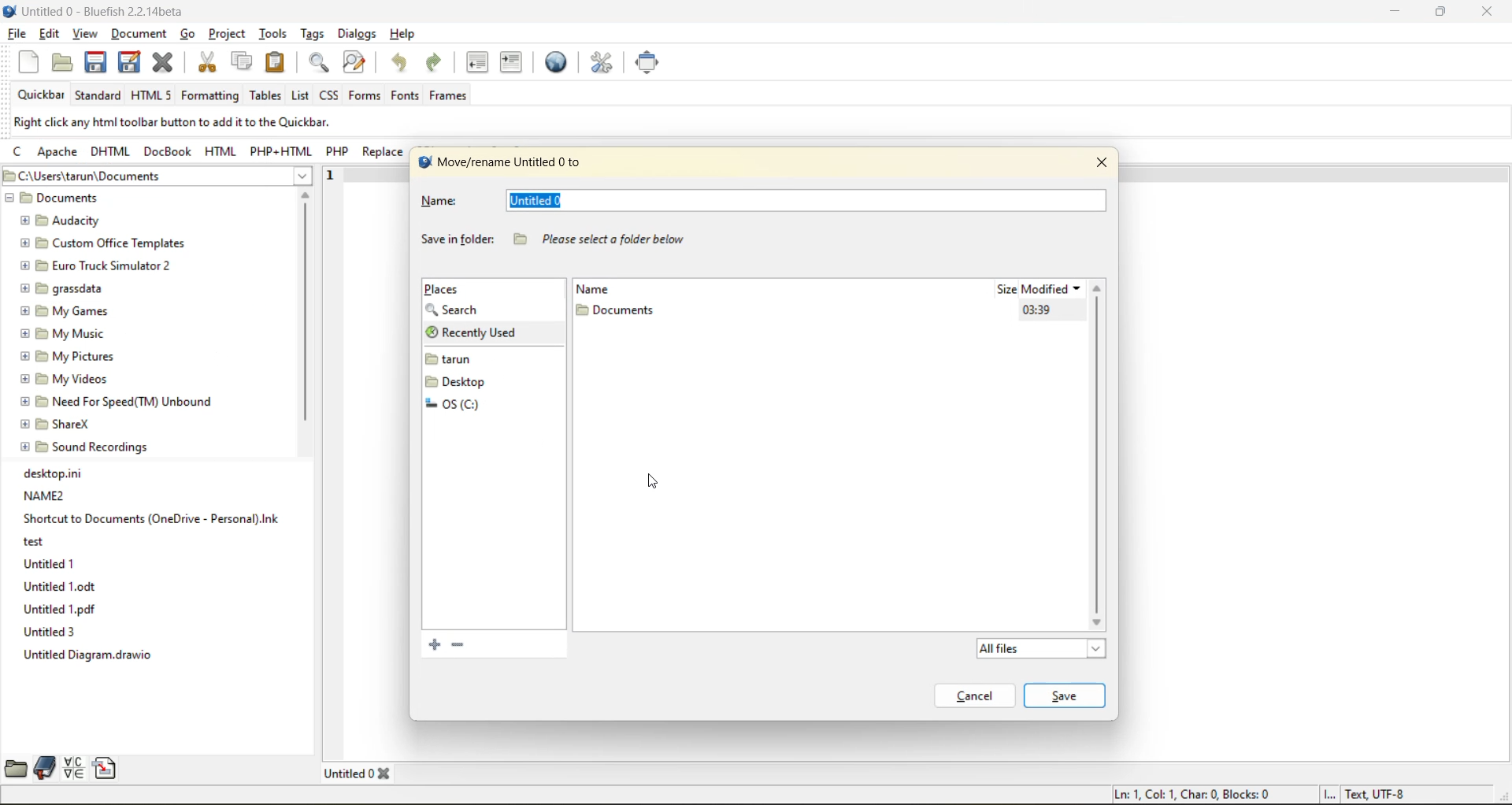 The width and height of the screenshot is (1512, 805). I want to click on 1, so click(334, 178).